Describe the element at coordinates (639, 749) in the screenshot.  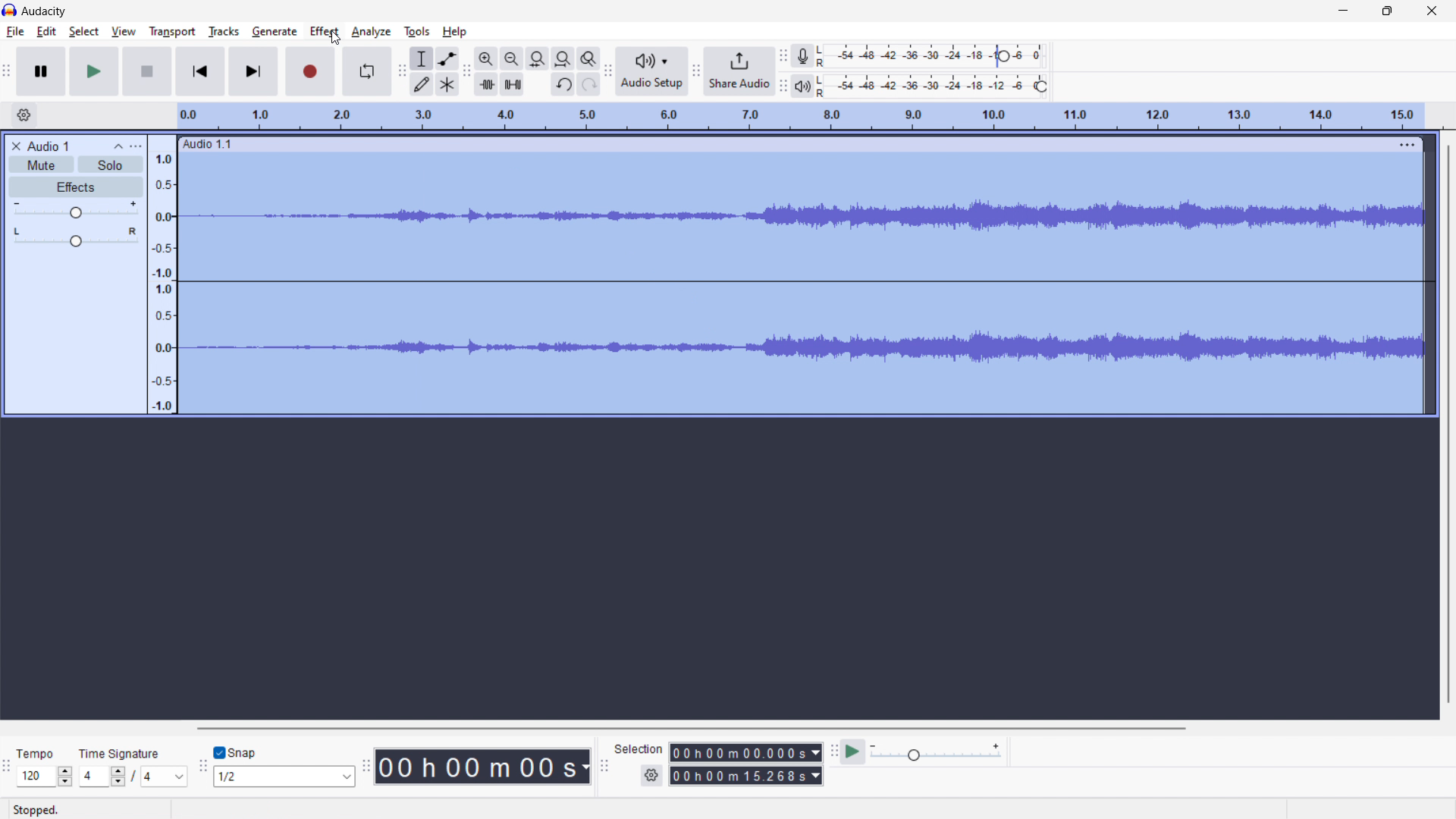
I see `Selection` at that location.